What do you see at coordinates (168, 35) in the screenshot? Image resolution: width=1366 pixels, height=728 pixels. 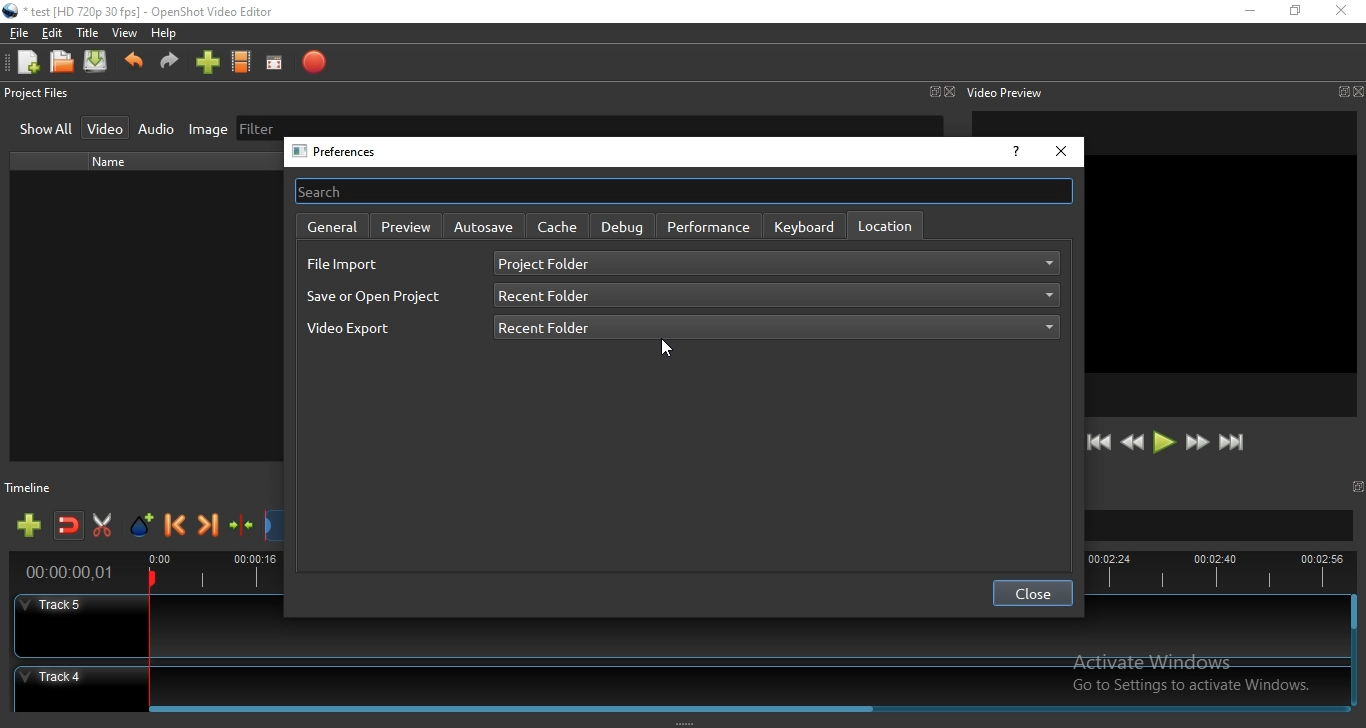 I see `Help` at bounding box center [168, 35].